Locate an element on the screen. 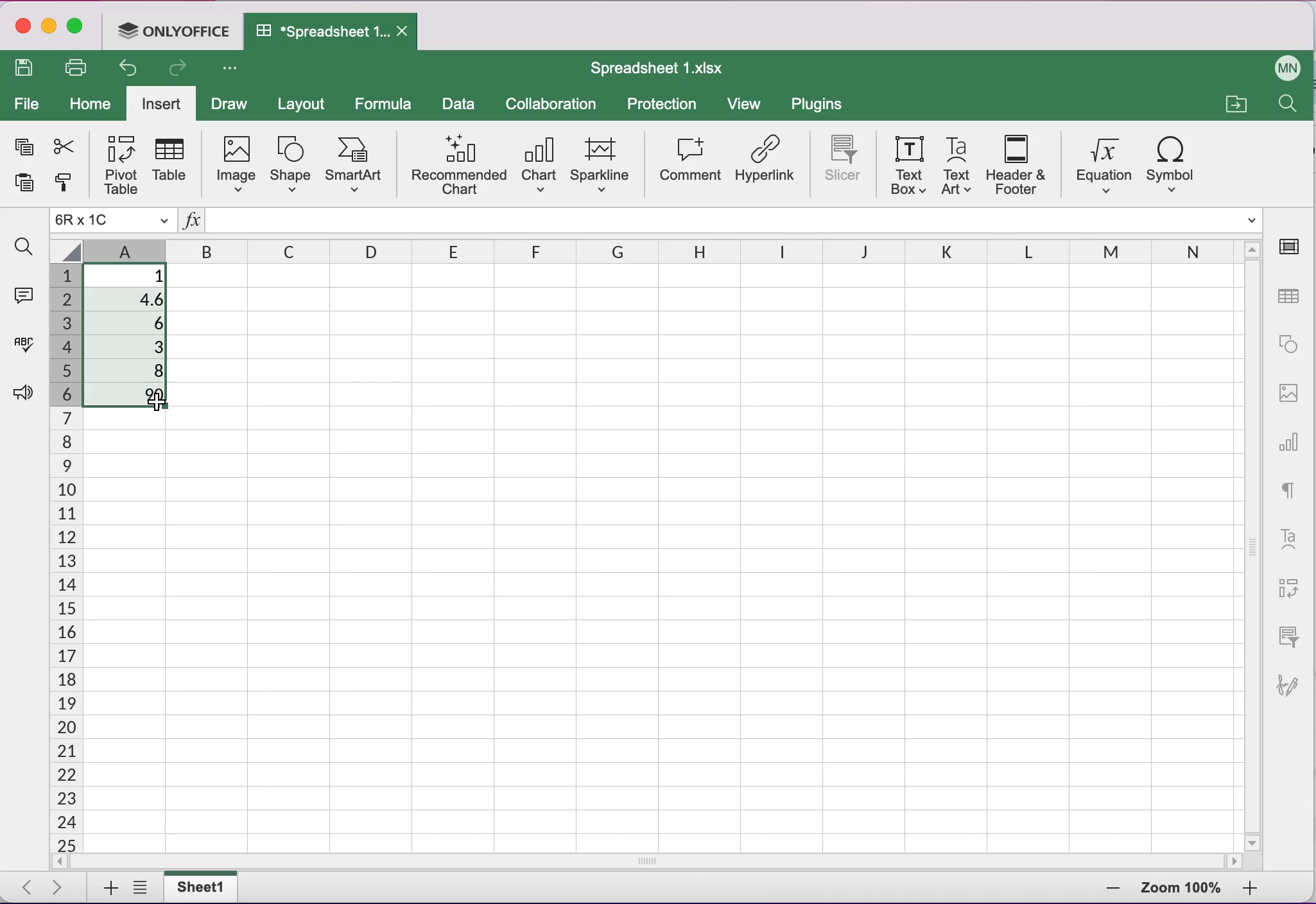 Image resolution: width=1316 pixels, height=904 pixels. home is located at coordinates (92, 104).